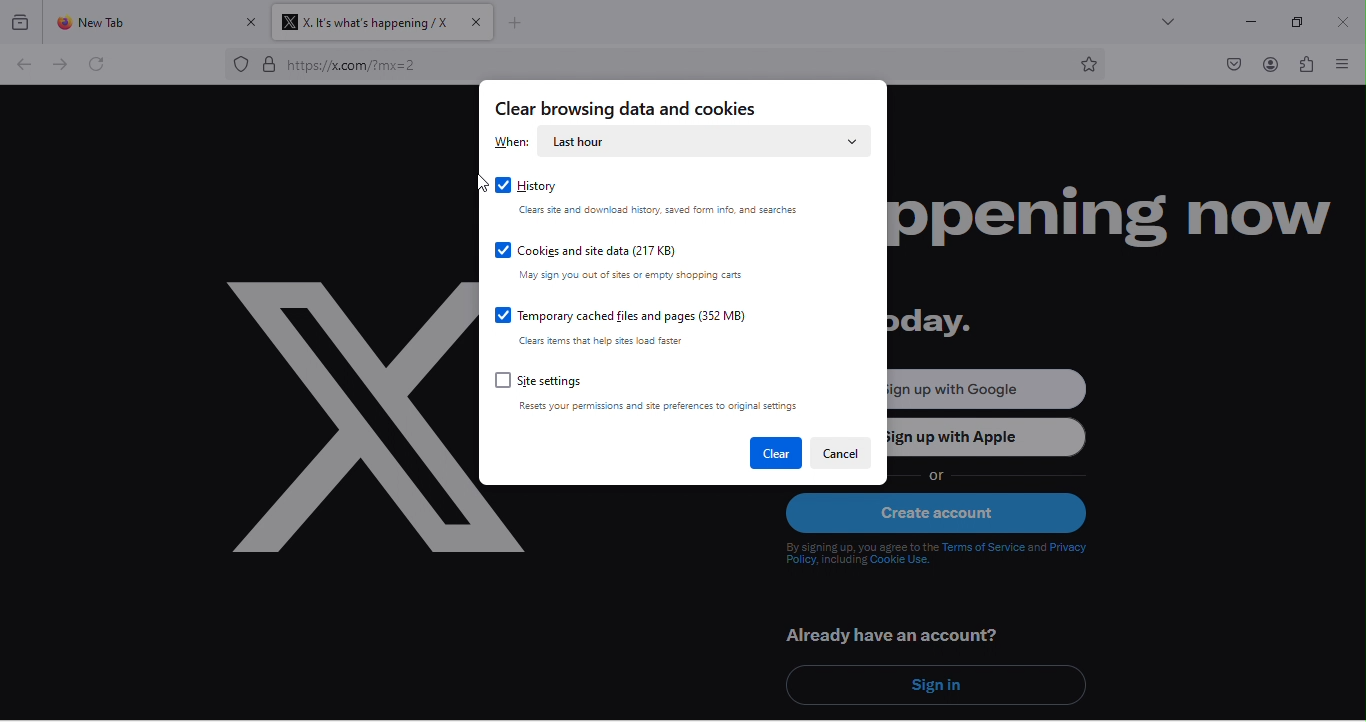 Image resolution: width=1366 pixels, height=722 pixels. What do you see at coordinates (654, 194) in the screenshot?
I see `history` at bounding box center [654, 194].